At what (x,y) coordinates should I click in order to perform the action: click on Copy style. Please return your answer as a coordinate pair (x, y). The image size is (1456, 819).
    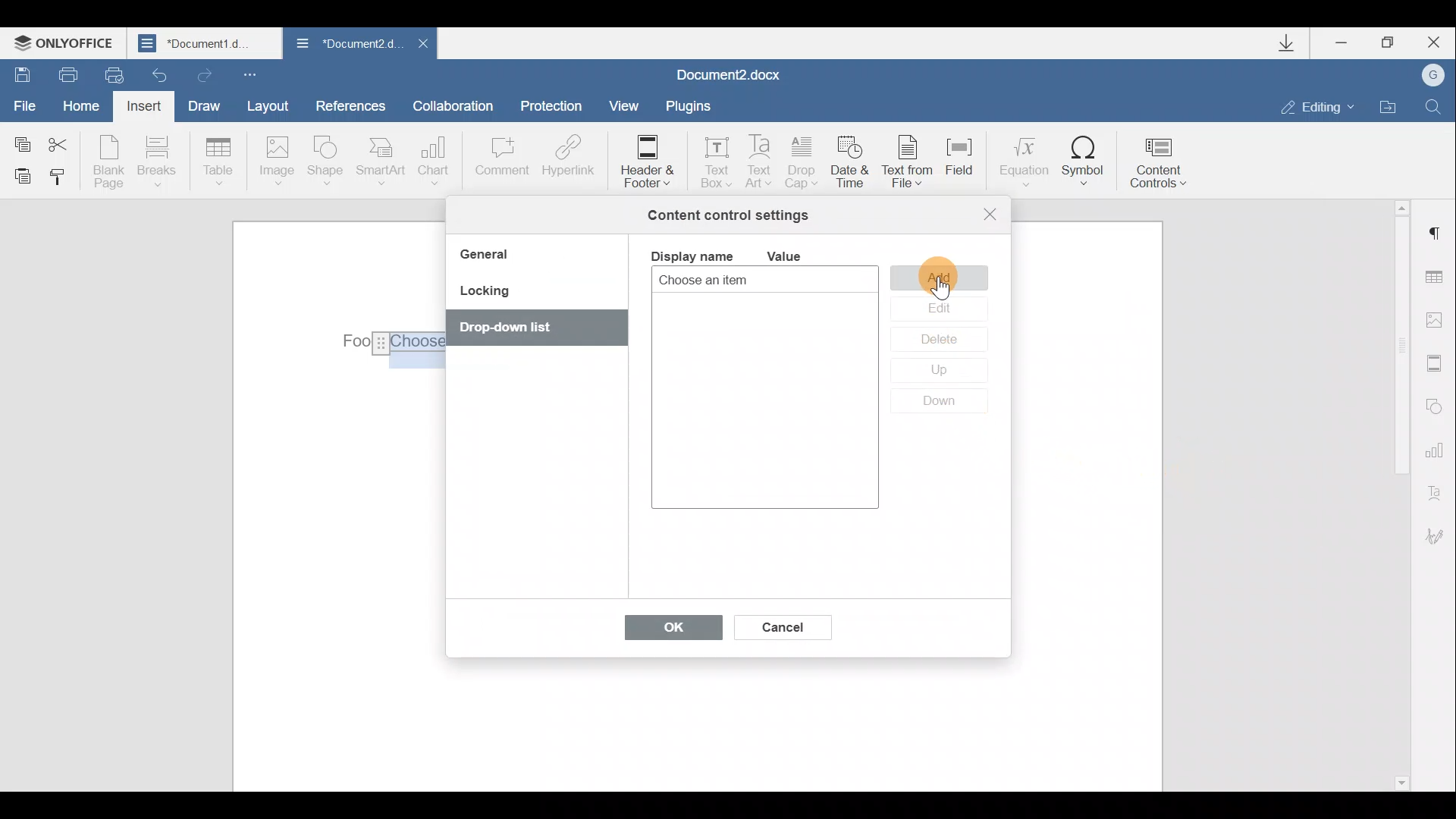
    Looking at the image, I should click on (59, 180).